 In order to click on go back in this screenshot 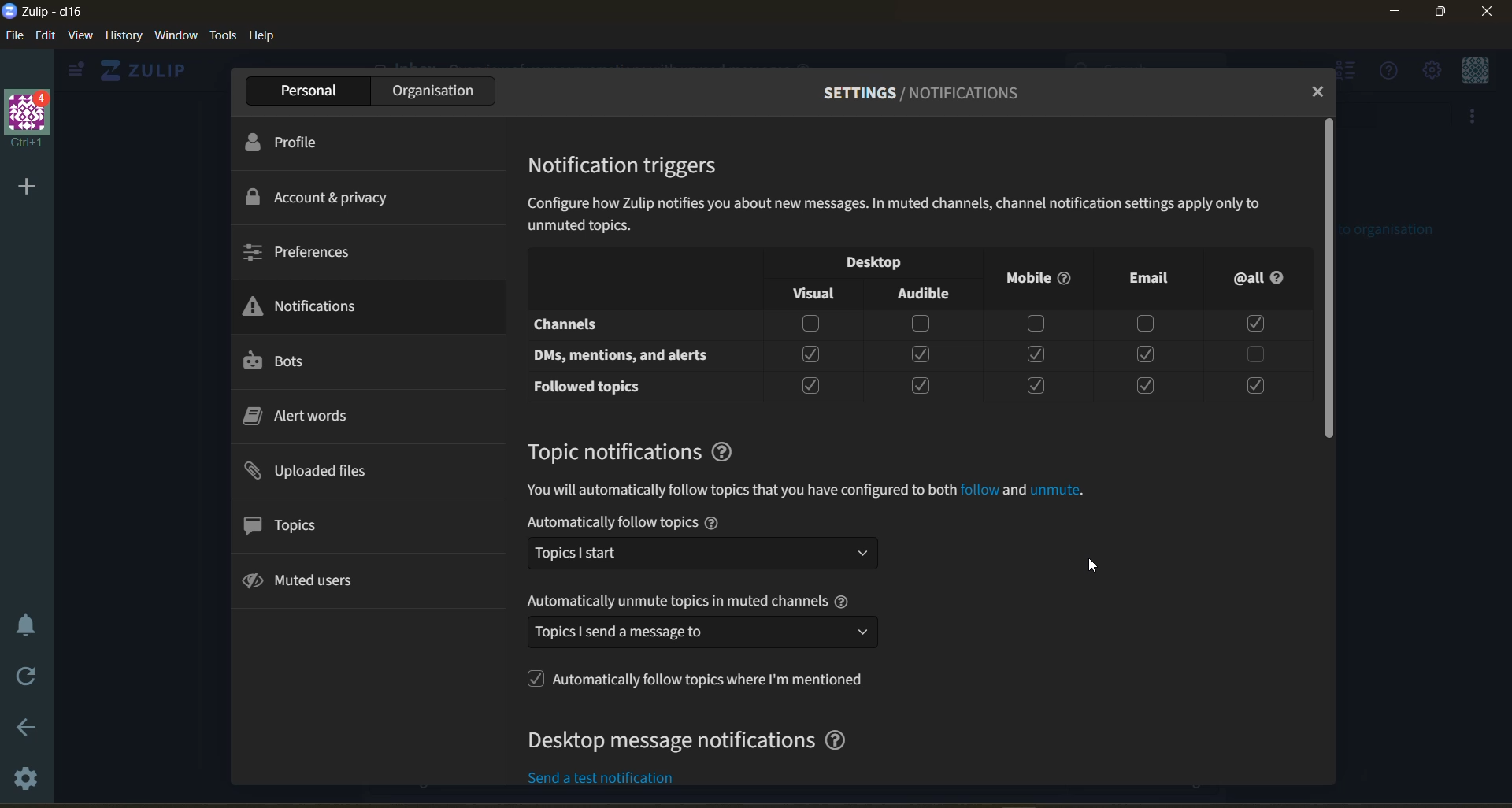, I will do `click(27, 726)`.